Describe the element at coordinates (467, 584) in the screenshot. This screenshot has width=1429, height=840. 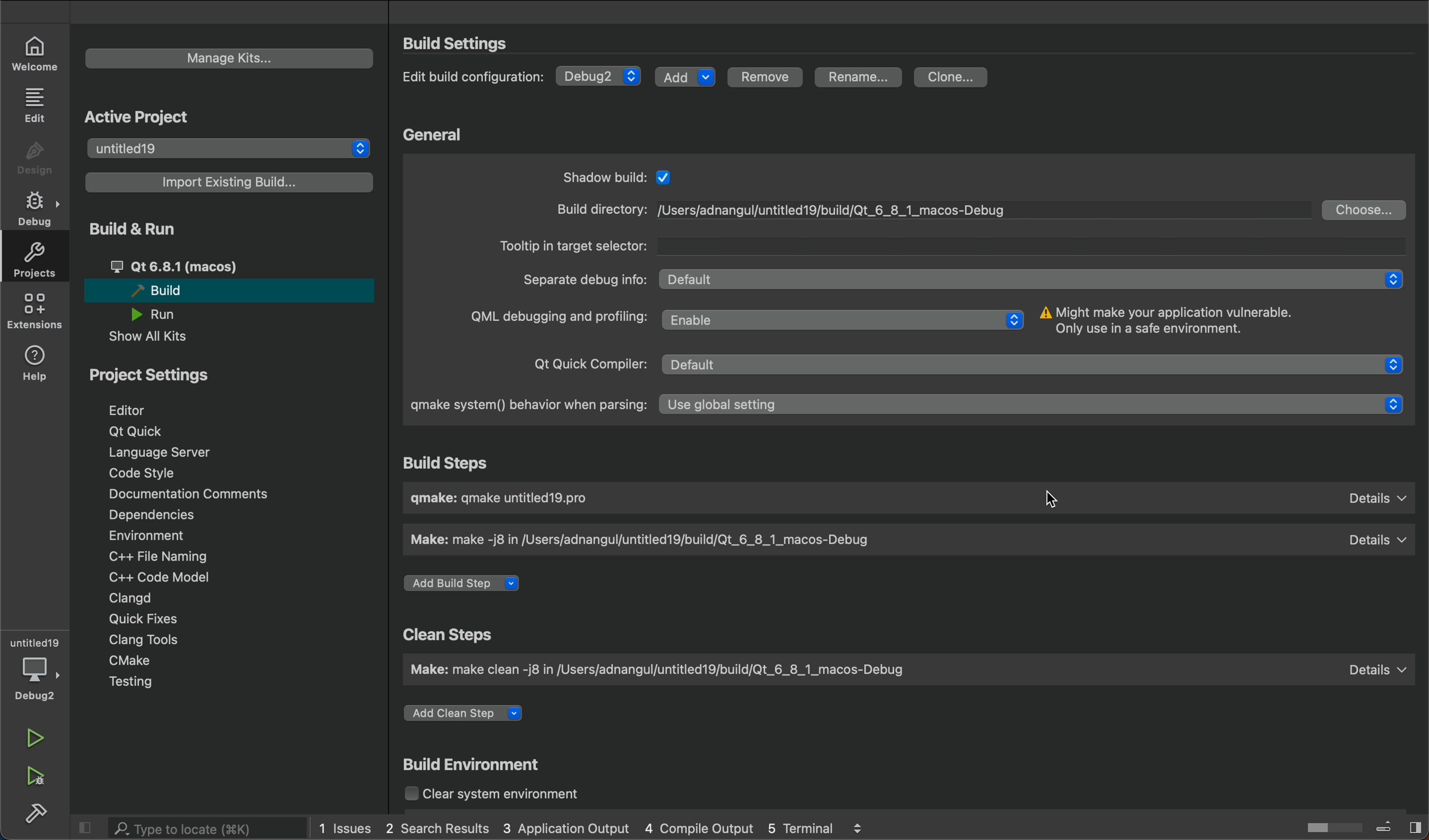
I see `add build step` at that location.